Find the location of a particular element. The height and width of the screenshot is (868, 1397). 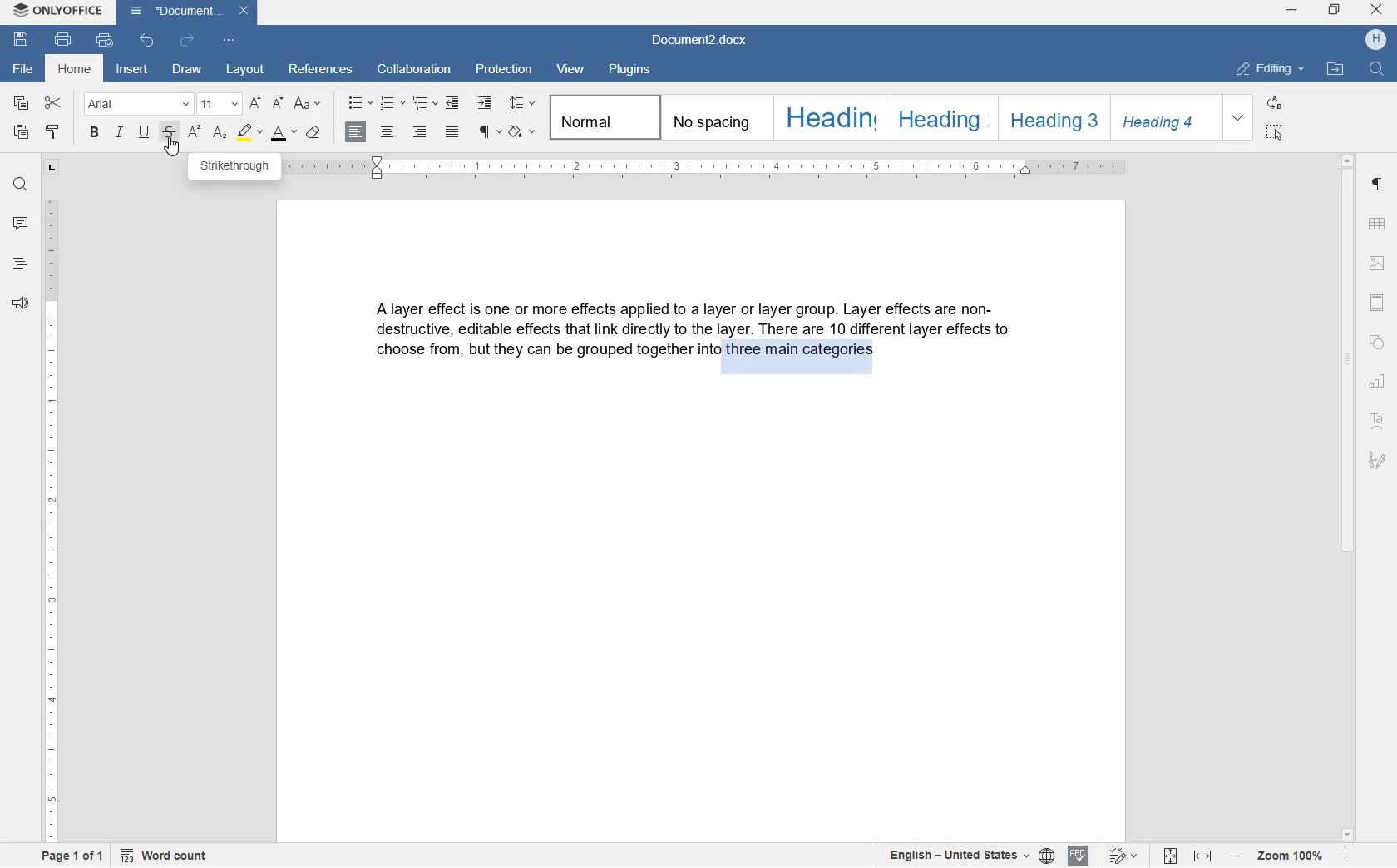

heading 1 is located at coordinates (827, 118).